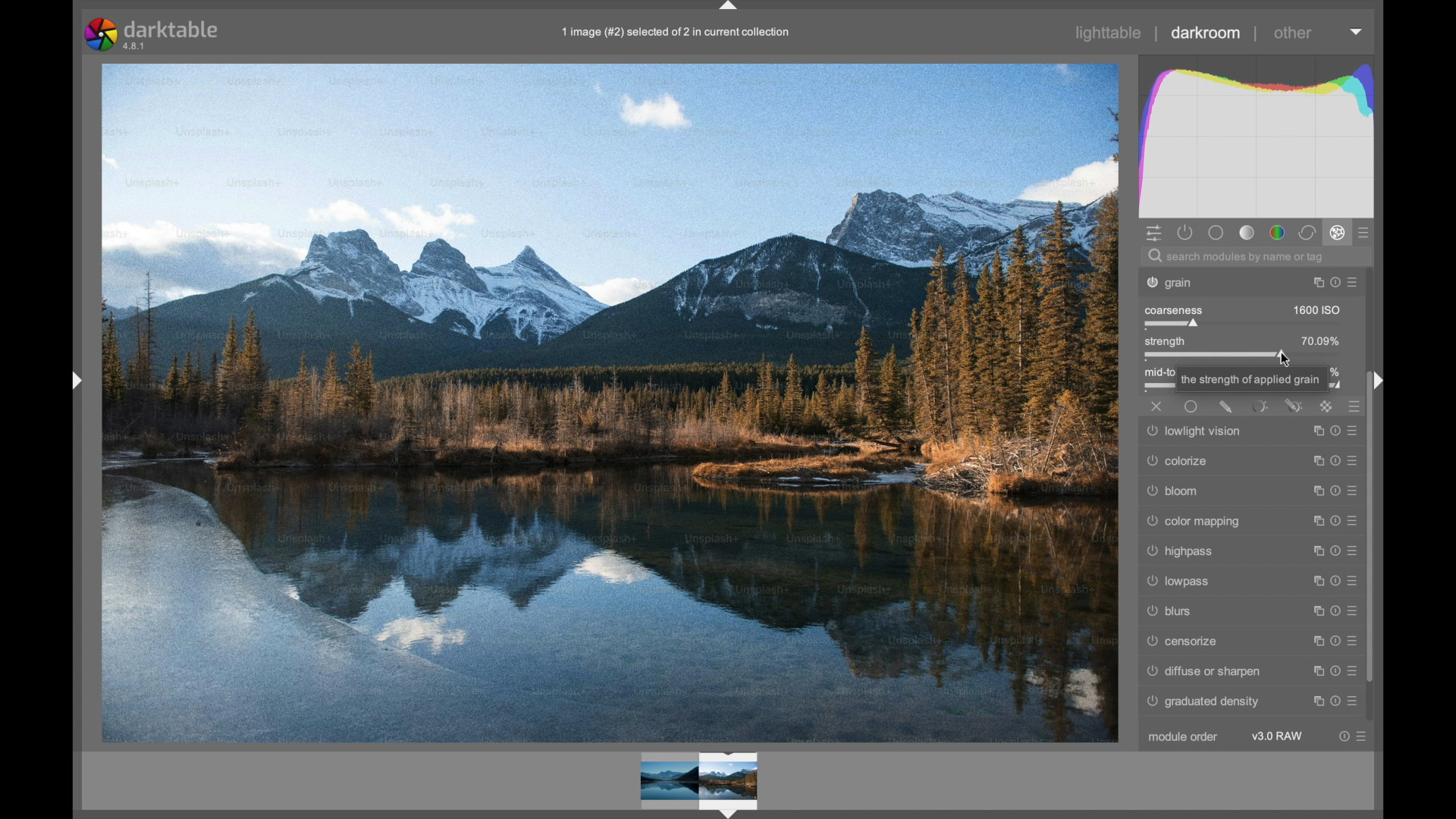 The image size is (1456, 819). Describe the element at coordinates (1200, 521) in the screenshot. I see `color mapping` at that location.